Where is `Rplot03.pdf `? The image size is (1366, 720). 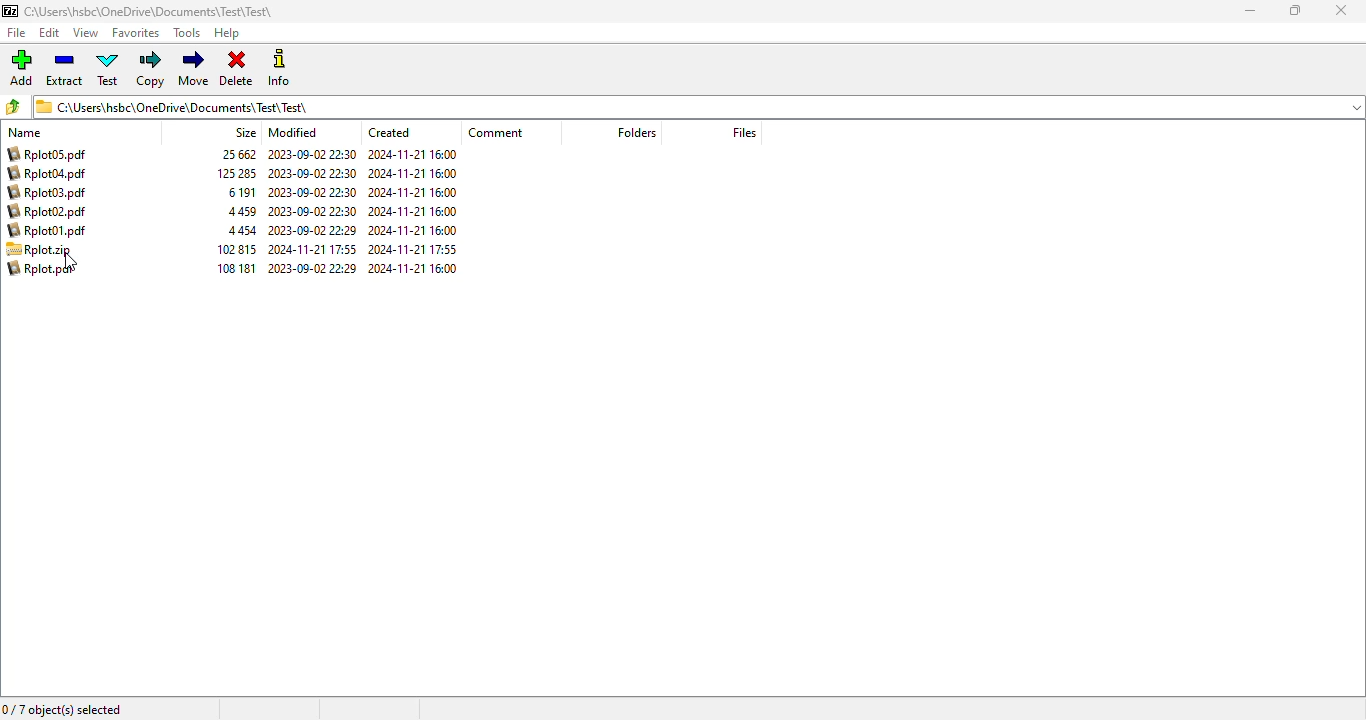 Rplot03.pdf  is located at coordinates (50, 193).